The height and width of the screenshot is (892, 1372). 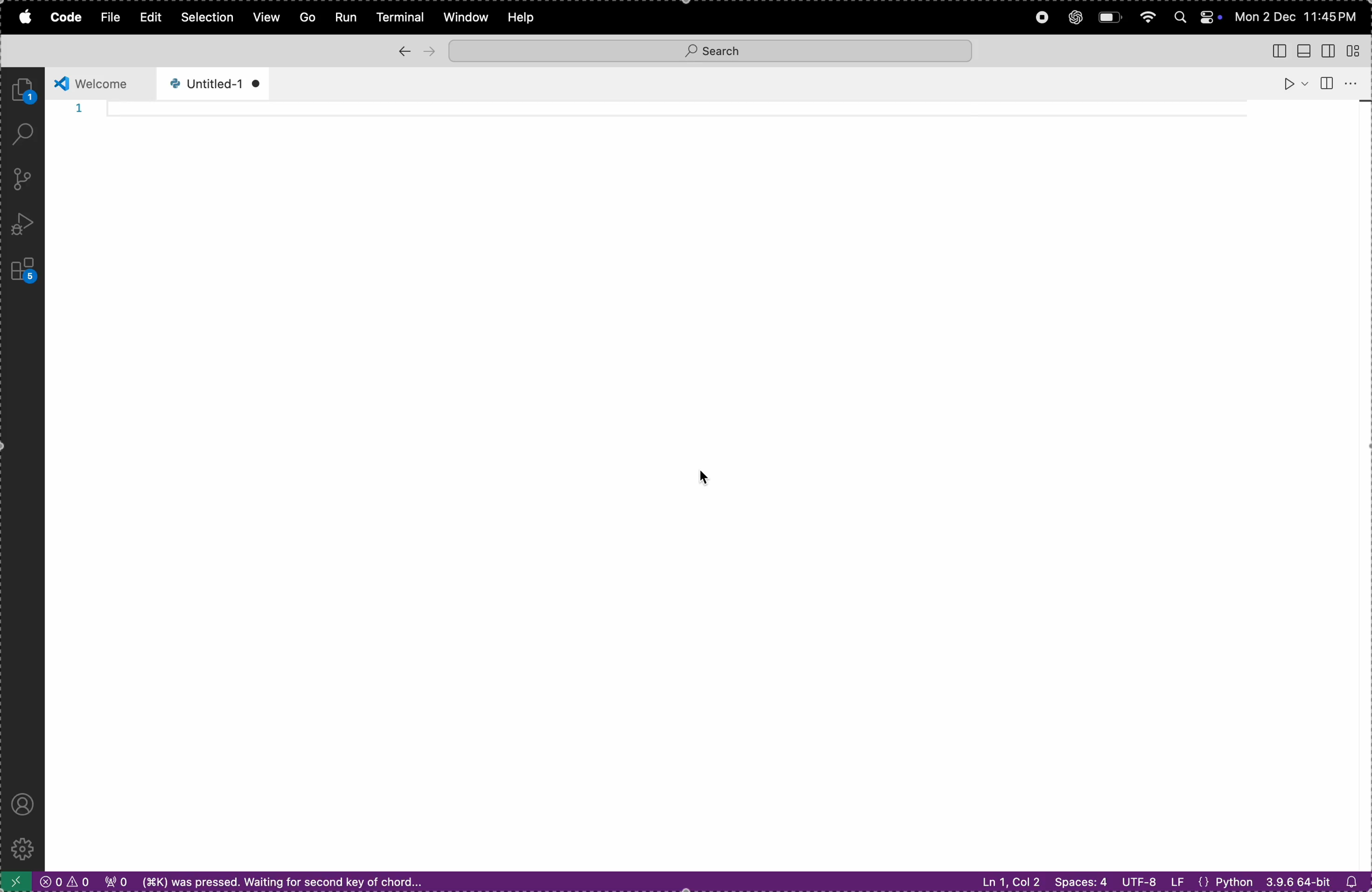 What do you see at coordinates (1194, 16) in the screenshot?
I see `apple widgets` at bounding box center [1194, 16].